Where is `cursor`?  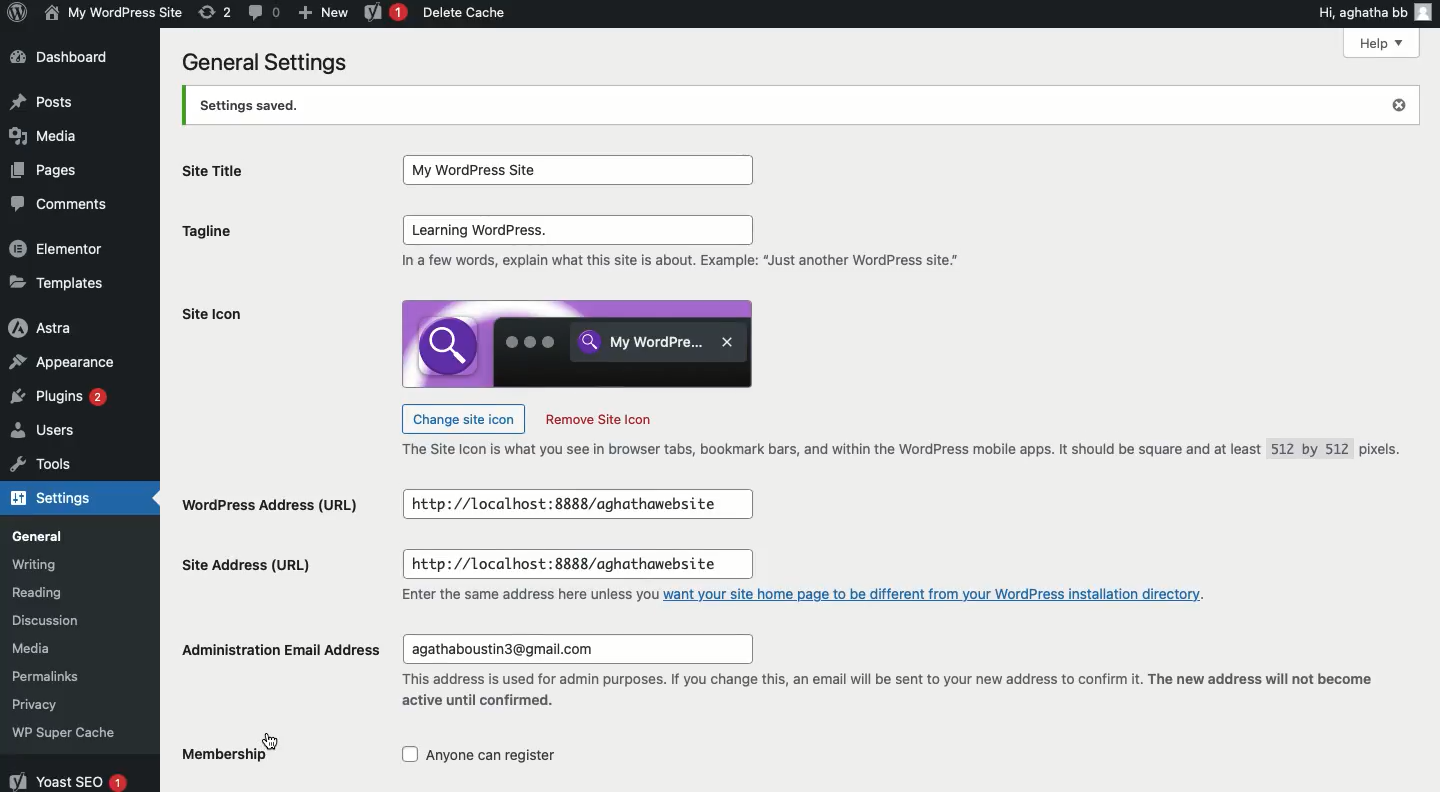
cursor is located at coordinates (276, 738).